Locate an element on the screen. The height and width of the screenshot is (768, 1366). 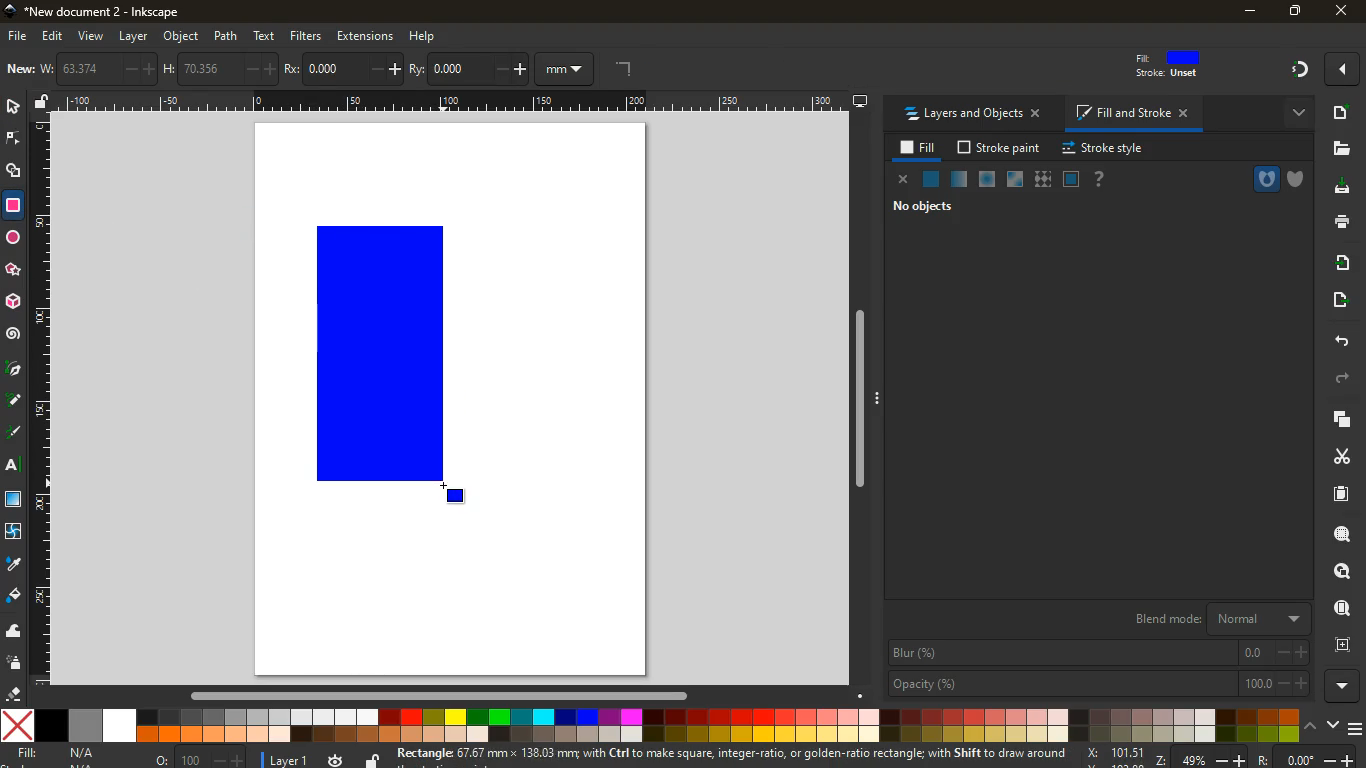
mm is located at coordinates (567, 68).